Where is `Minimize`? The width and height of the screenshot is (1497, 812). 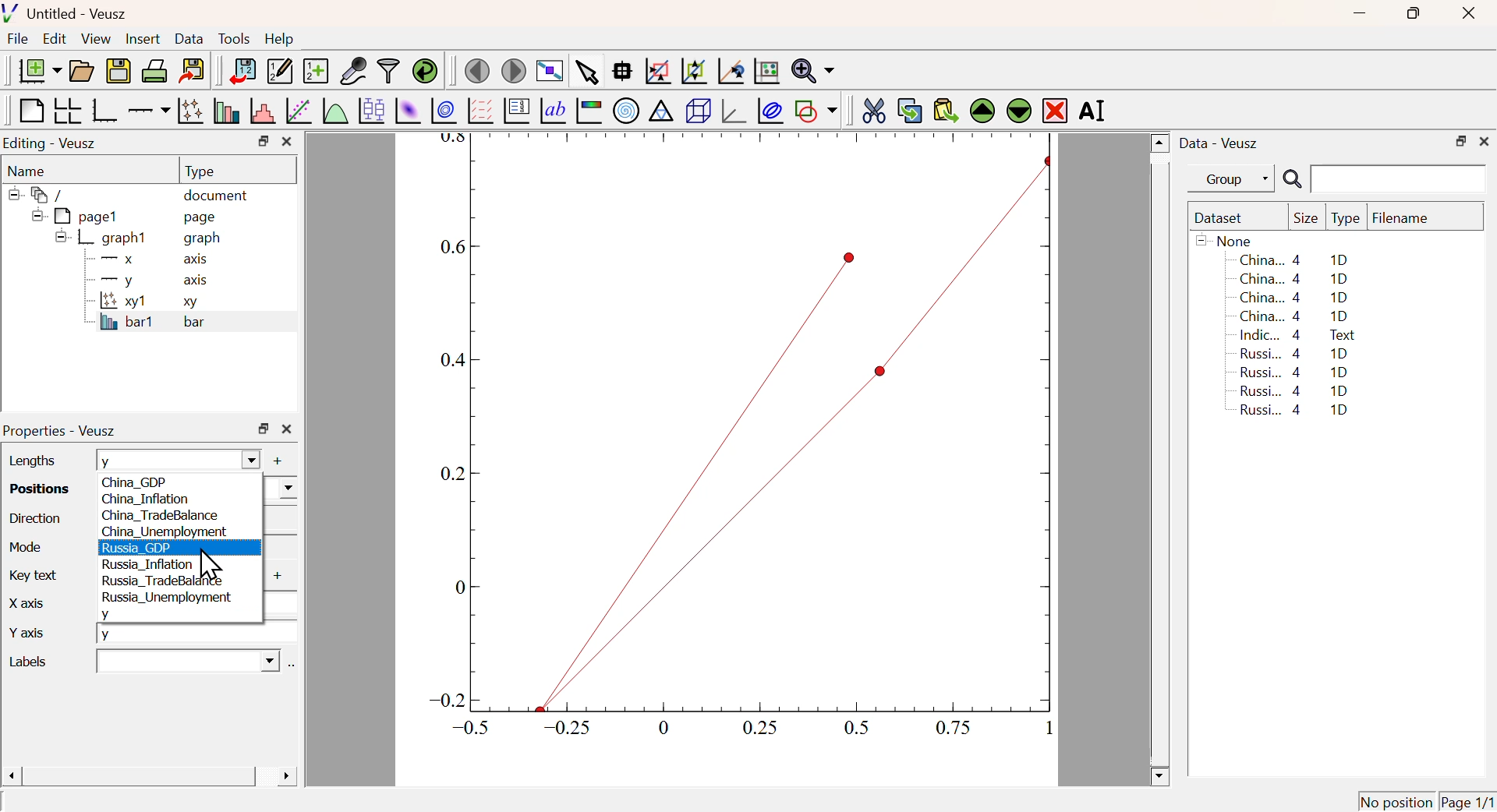 Minimize is located at coordinates (1360, 14).